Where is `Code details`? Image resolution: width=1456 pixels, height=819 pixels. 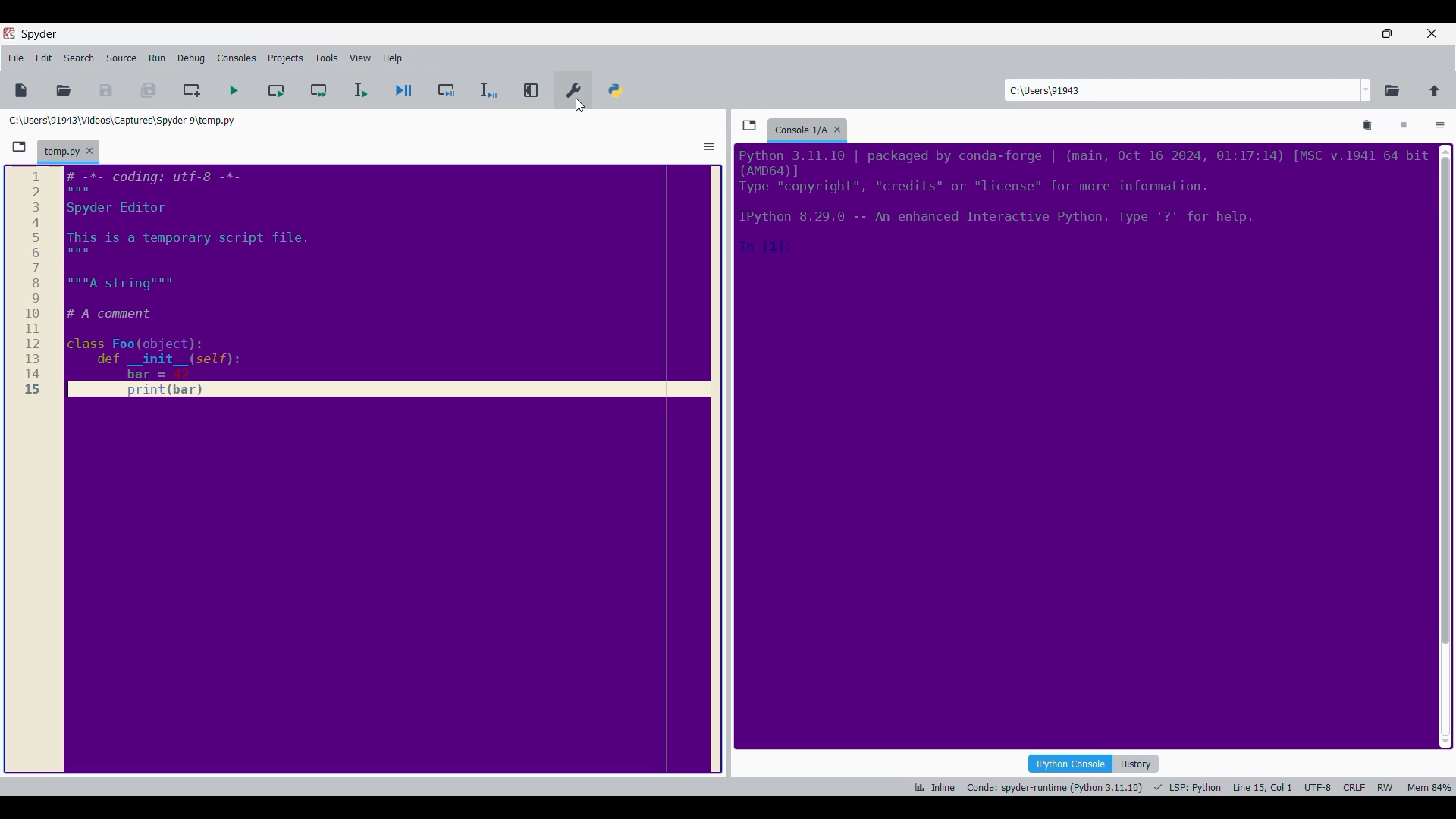
Code details is located at coordinates (1084, 202).